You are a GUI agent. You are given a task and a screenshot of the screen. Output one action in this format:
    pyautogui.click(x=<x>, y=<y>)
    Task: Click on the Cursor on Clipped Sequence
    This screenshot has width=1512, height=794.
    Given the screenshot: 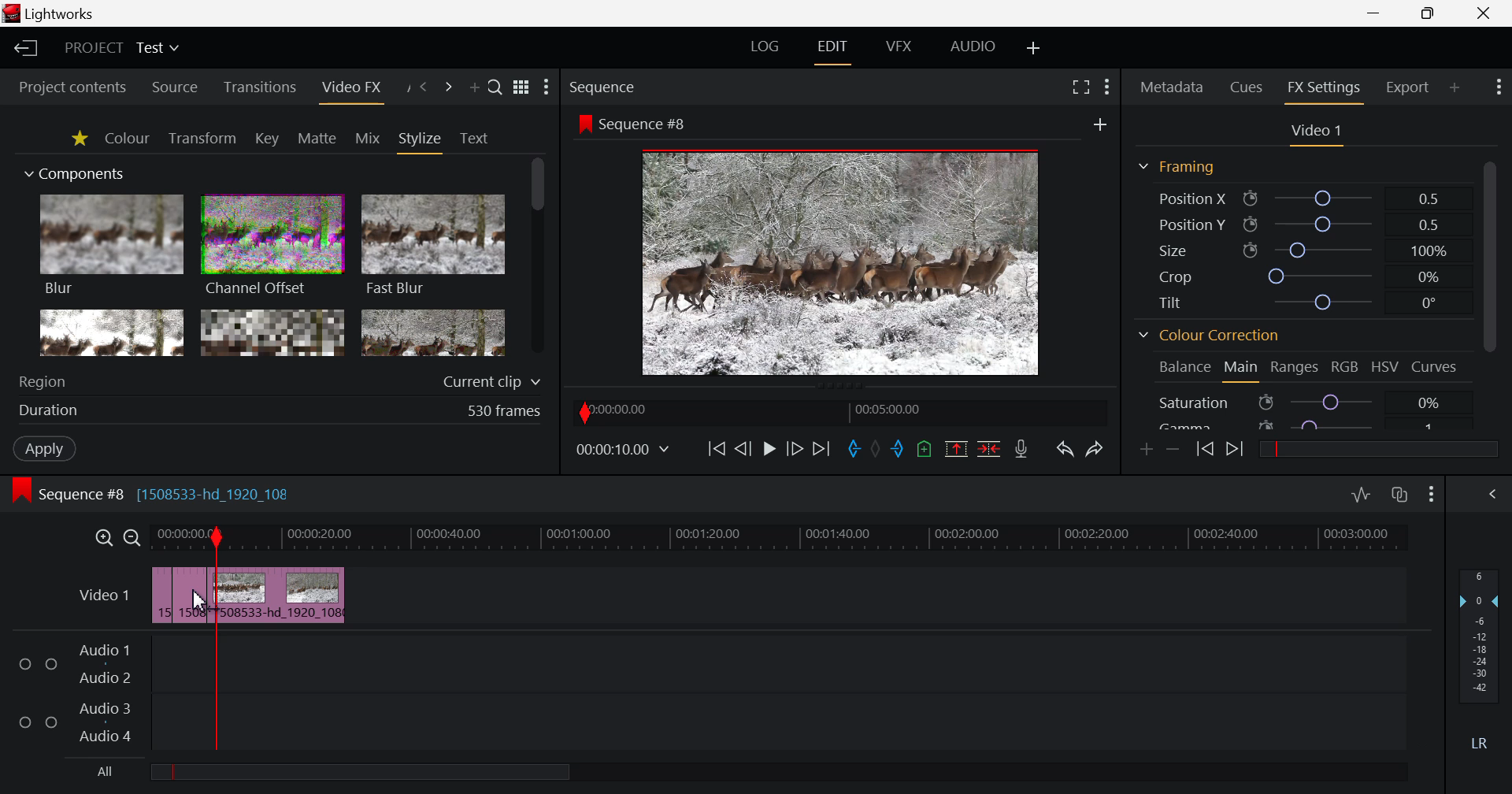 What is the action you would take?
    pyautogui.click(x=188, y=595)
    